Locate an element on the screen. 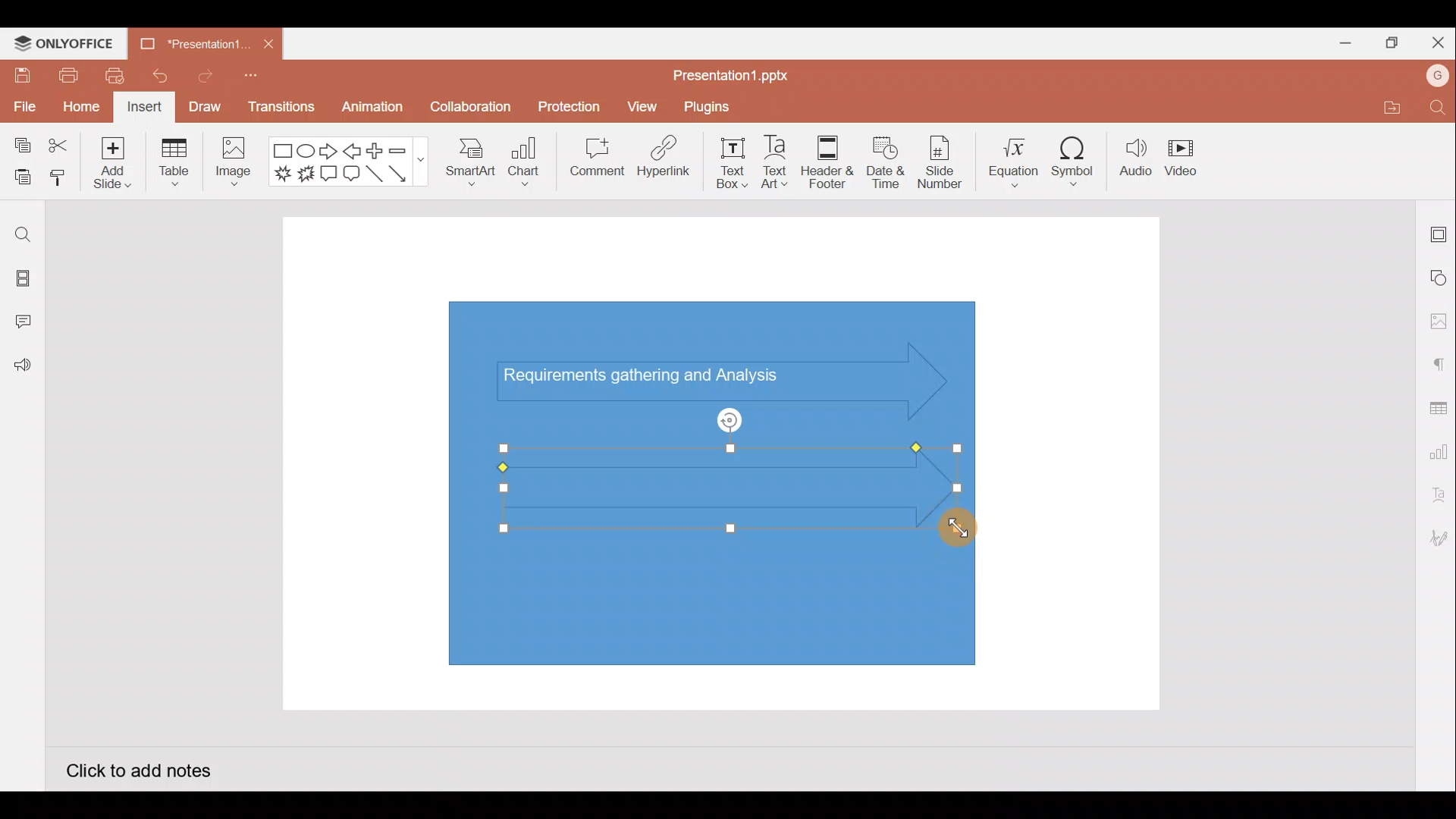  Minimise is located at coordinates (1339, 40).